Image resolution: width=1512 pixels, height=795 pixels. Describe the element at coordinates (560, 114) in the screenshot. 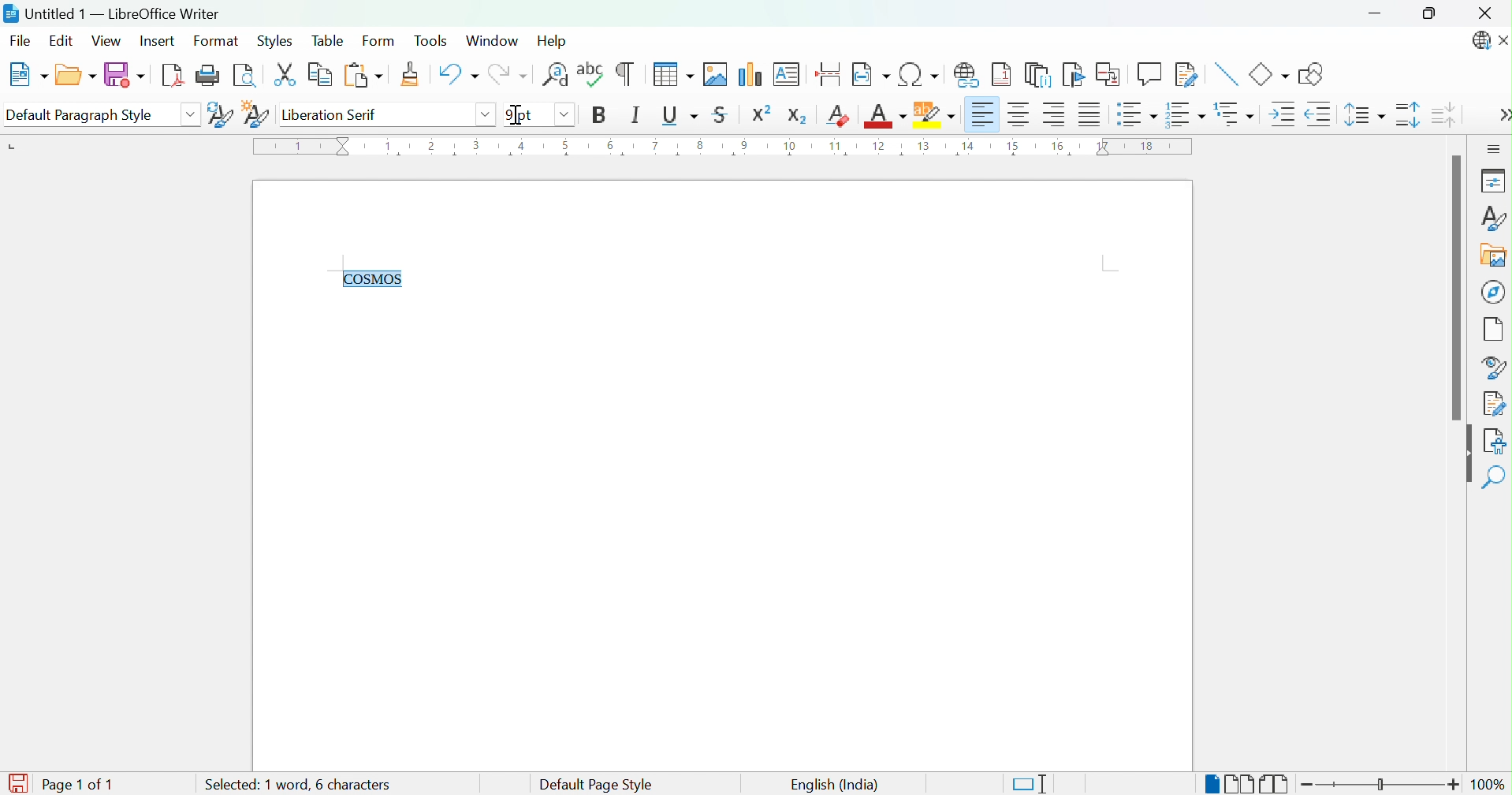

I see `Drop down` at that location.